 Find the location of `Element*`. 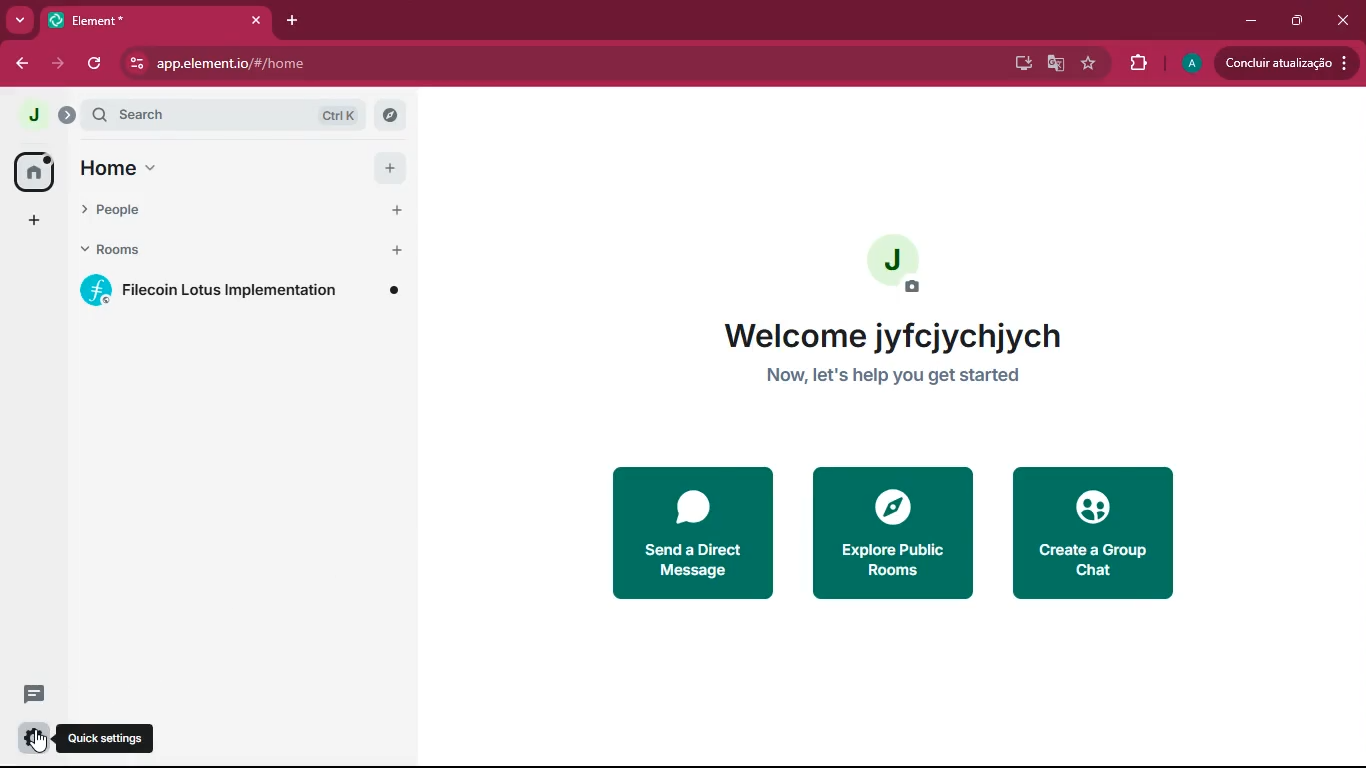

Element* is located at coordinates (139, 19).